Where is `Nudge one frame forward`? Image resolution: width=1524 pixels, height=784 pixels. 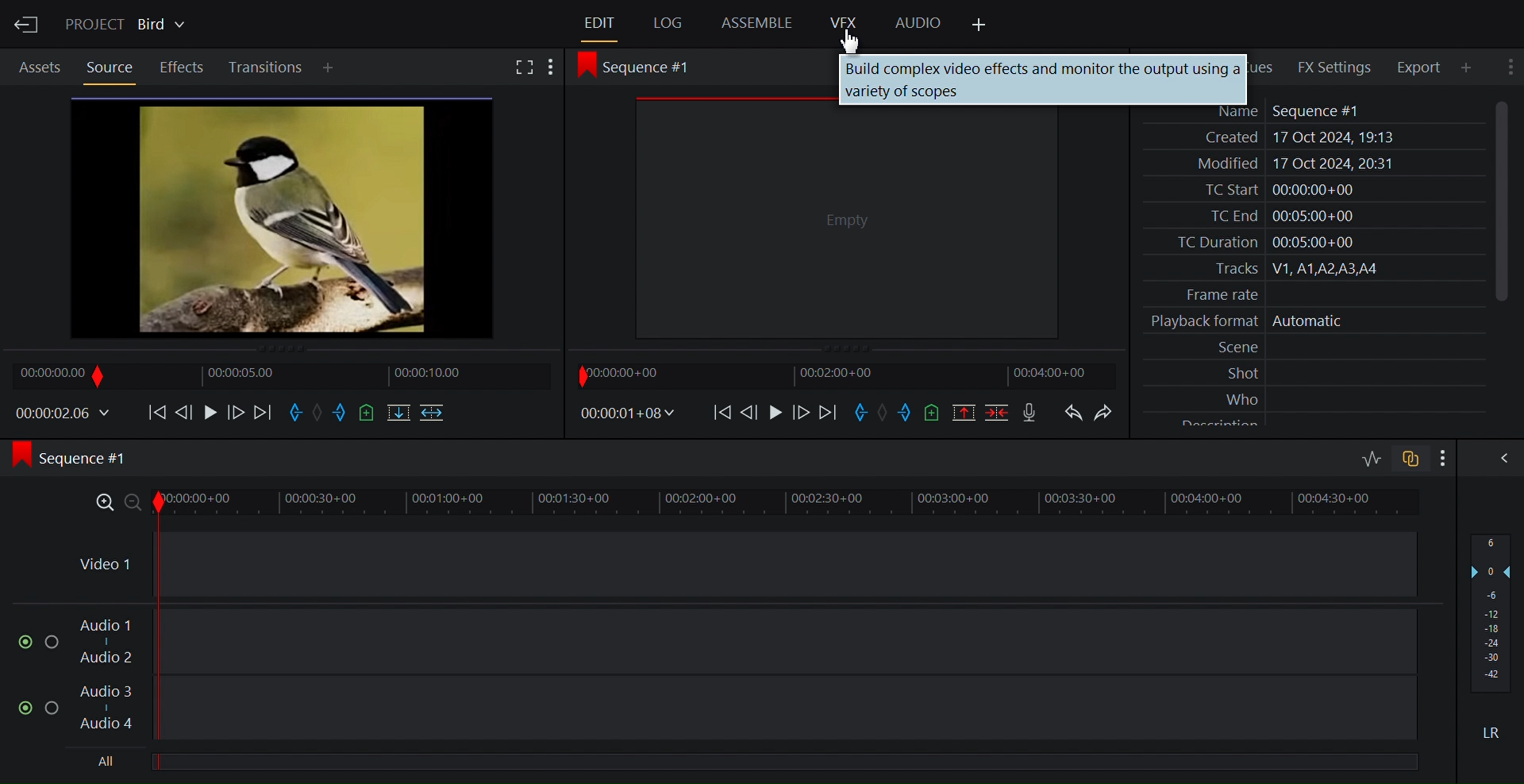
Nudge one frame forward is located at coordinates (802, 412).